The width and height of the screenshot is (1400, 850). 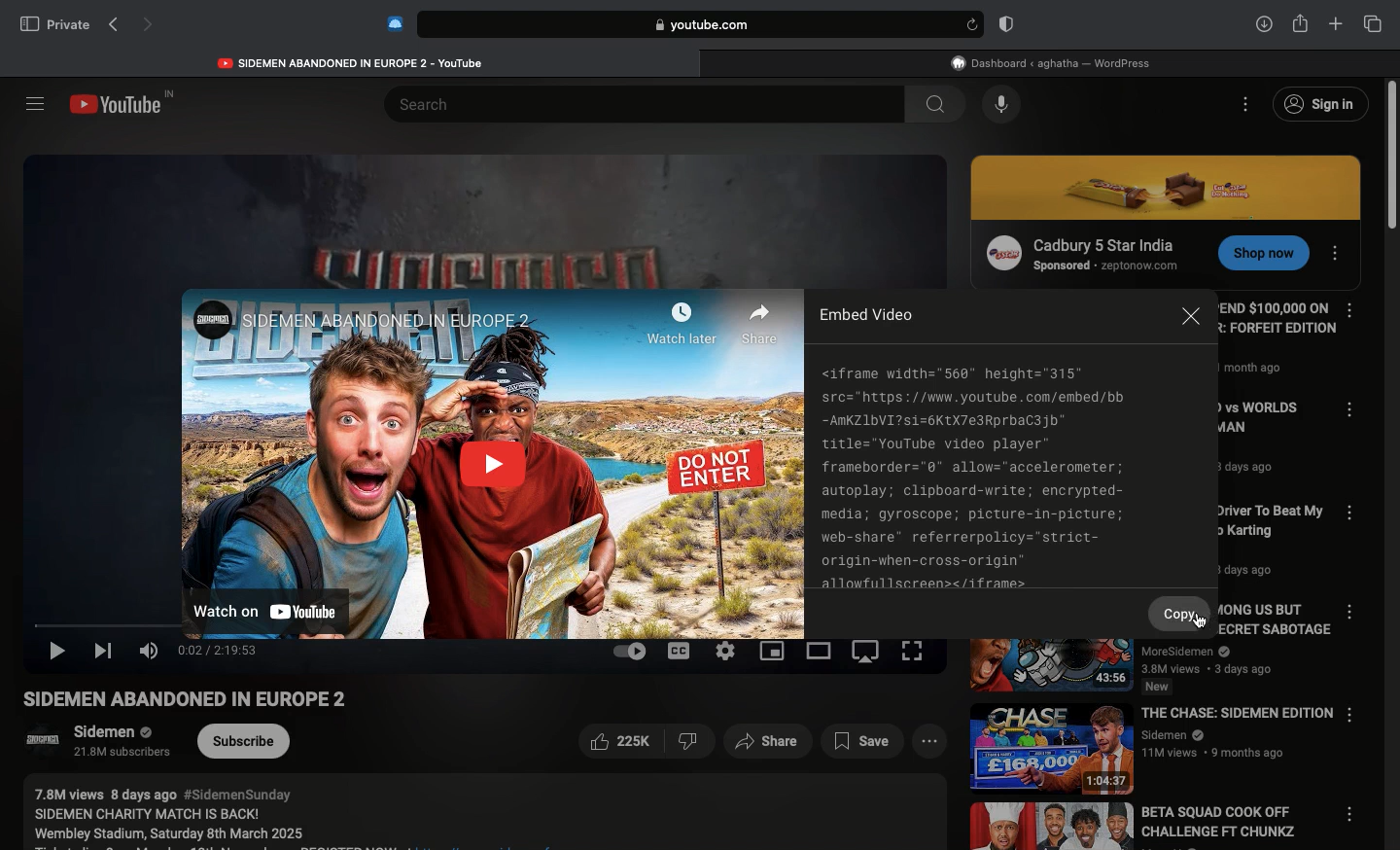 I want to click on Full screen, so click(x=914, y=651).